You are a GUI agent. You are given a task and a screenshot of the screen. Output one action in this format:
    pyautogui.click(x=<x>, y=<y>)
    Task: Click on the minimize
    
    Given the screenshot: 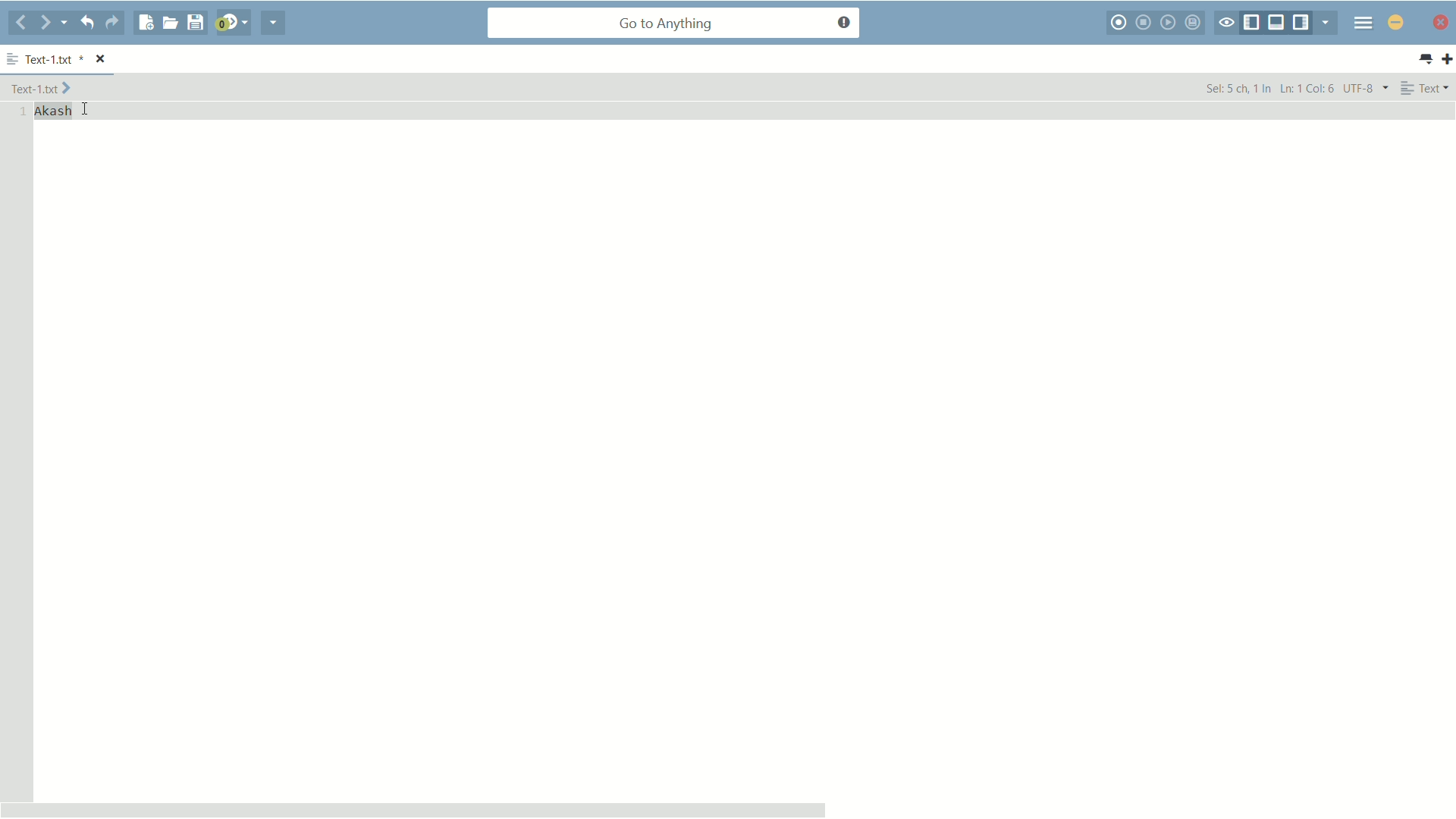 What is the action you would take?
    pyautogui.click(x=1396, y=22)
    